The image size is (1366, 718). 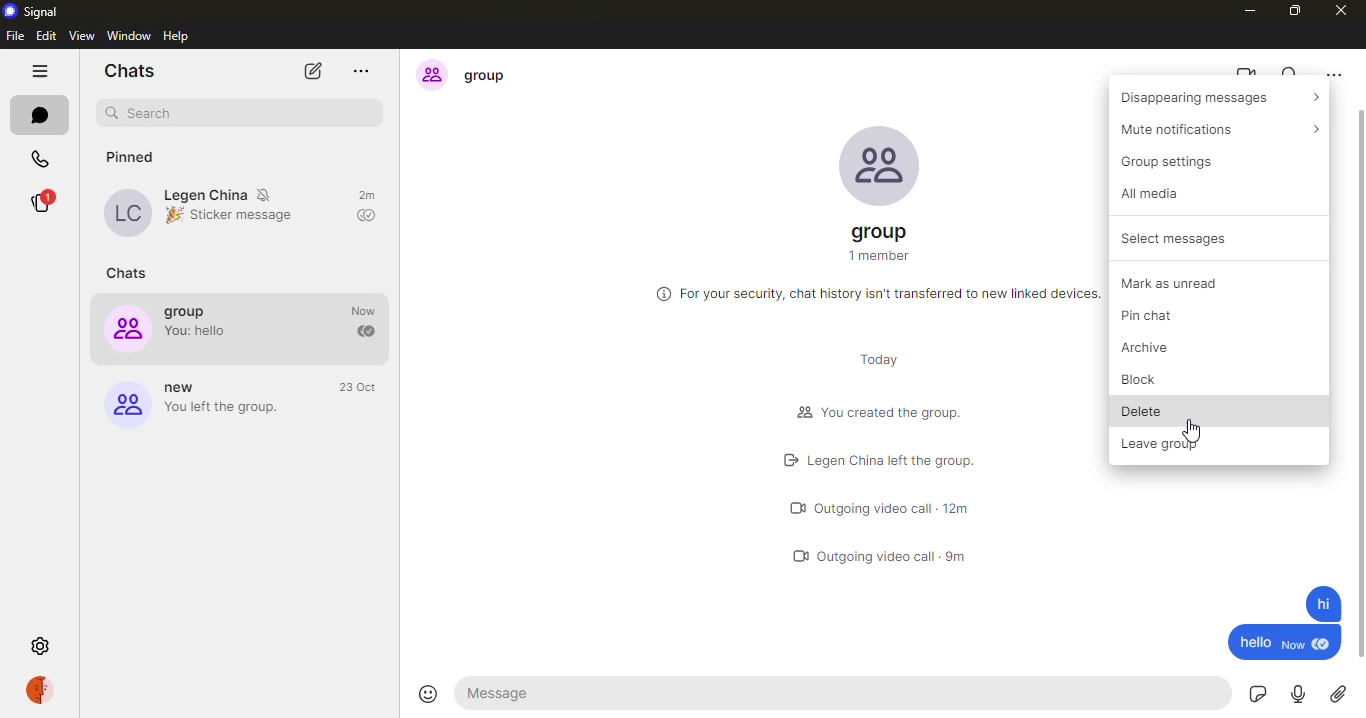 What do you see at coordinates (269, 193) in the screenshot?
I see `mute notifications` at bounding box center [269, 193].